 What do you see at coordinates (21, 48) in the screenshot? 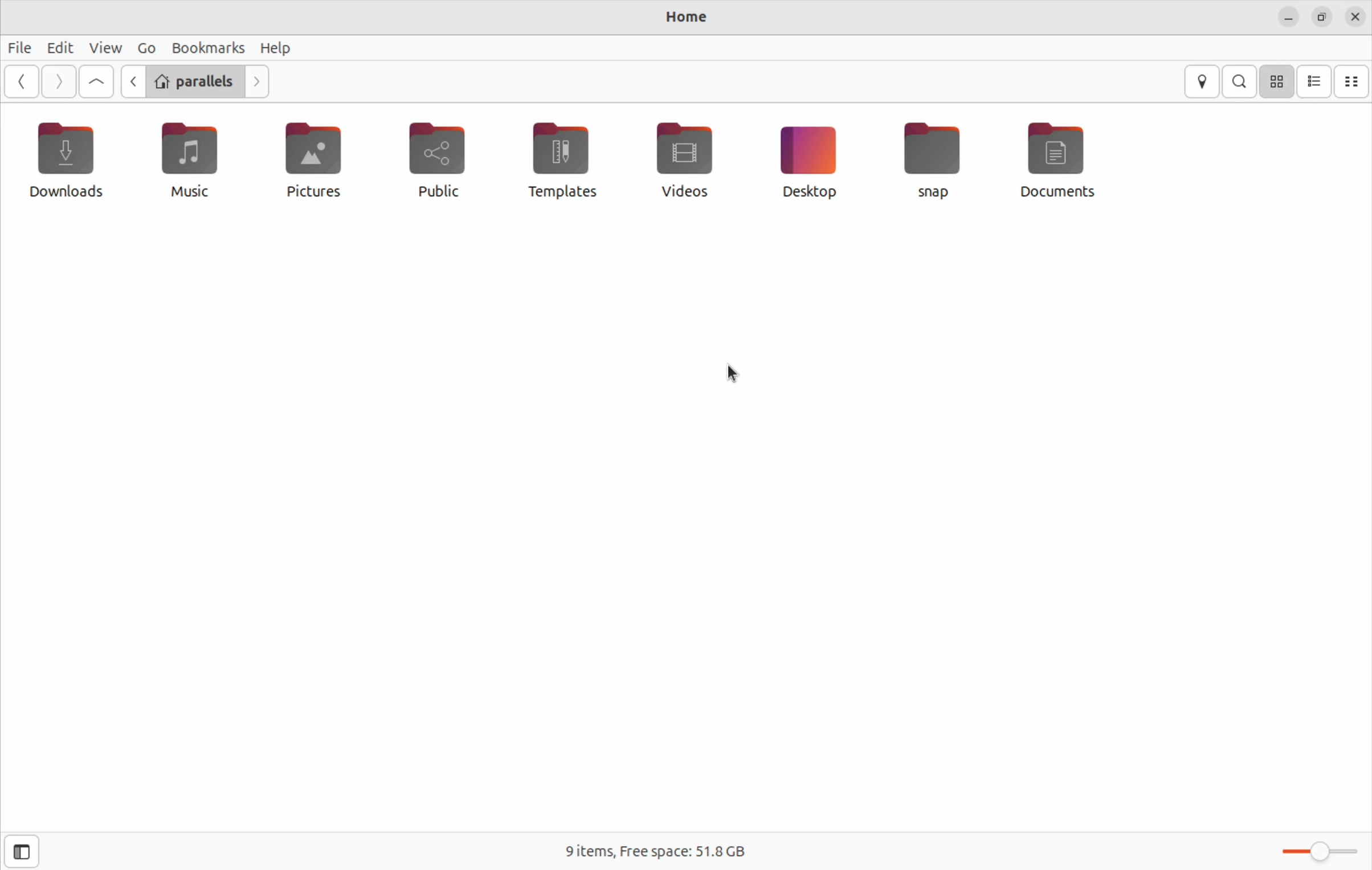
I see `File` at bounding box center [21, 48].